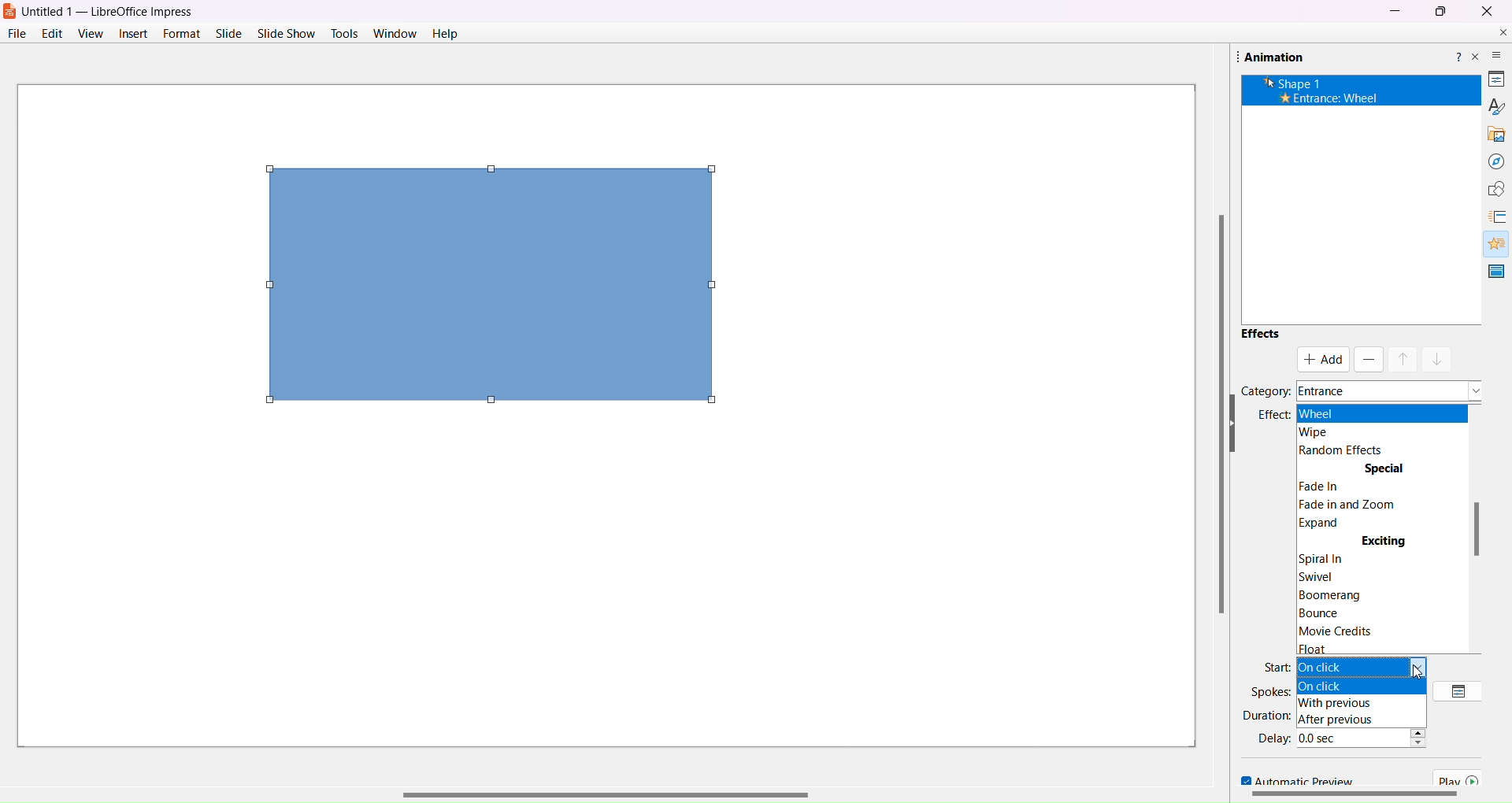 Image resolution: width=1512 pixels, height=803 pixels. What do you see at coordinates (1462, 778) in the screenshot?
I see `Play` at bounding box center [1462, 778].